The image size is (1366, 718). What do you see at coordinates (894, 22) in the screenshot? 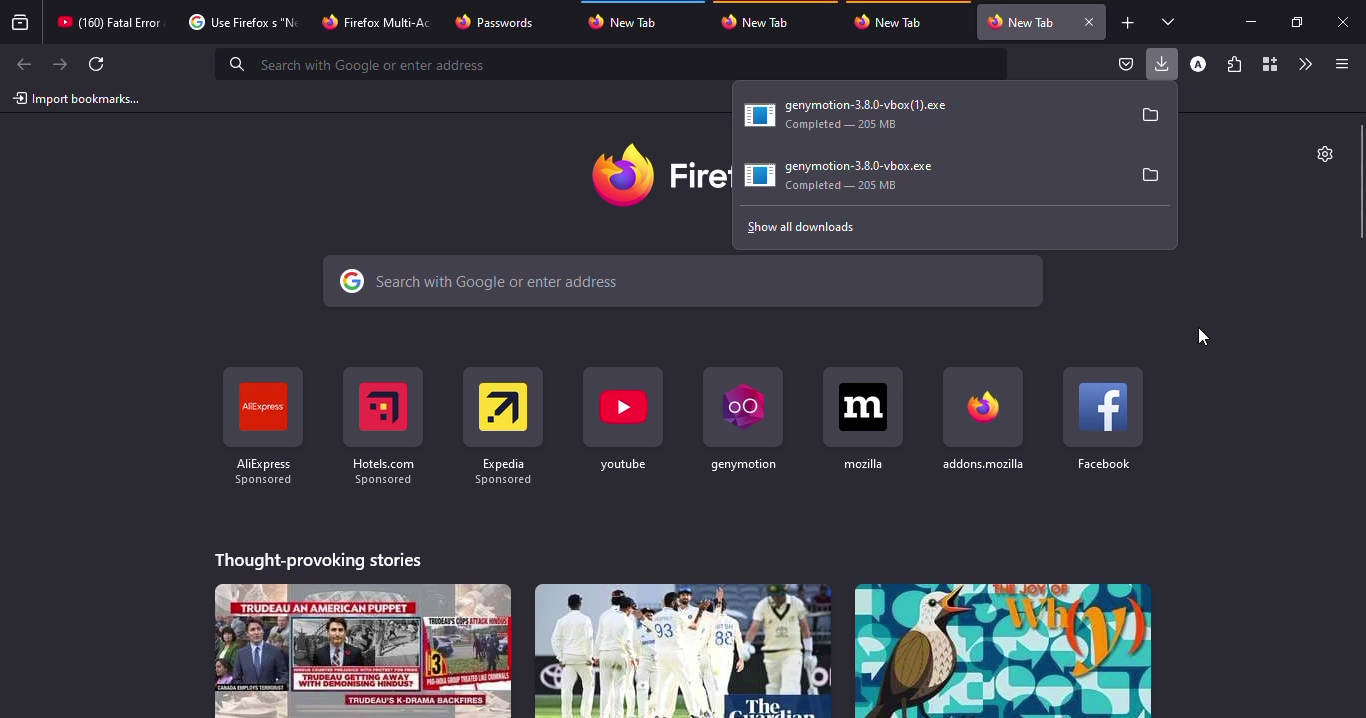
I see `tab` at bounding box center [894, 22].